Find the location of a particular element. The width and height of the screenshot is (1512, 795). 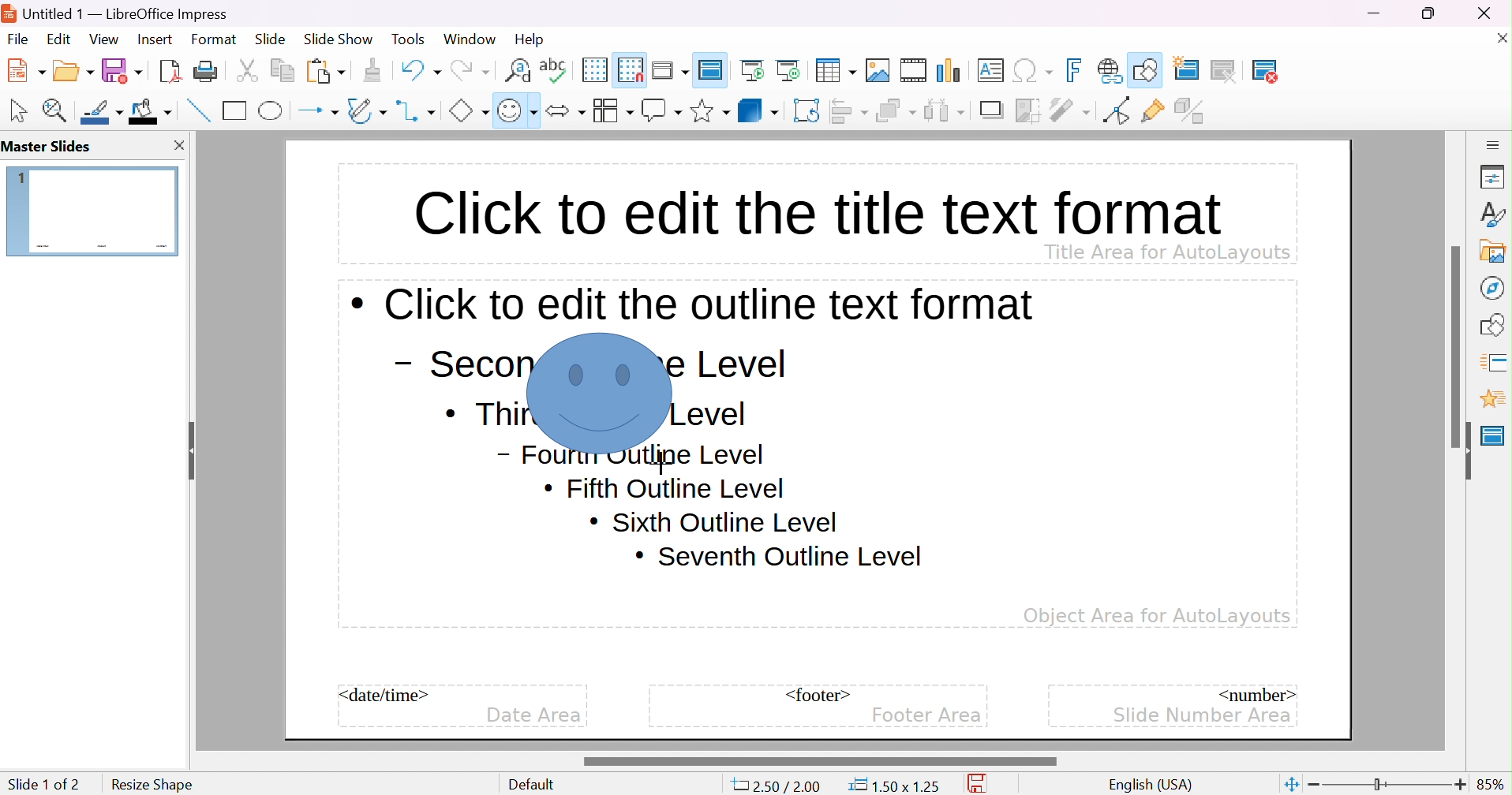

paste is located at coordinates (326, 69).